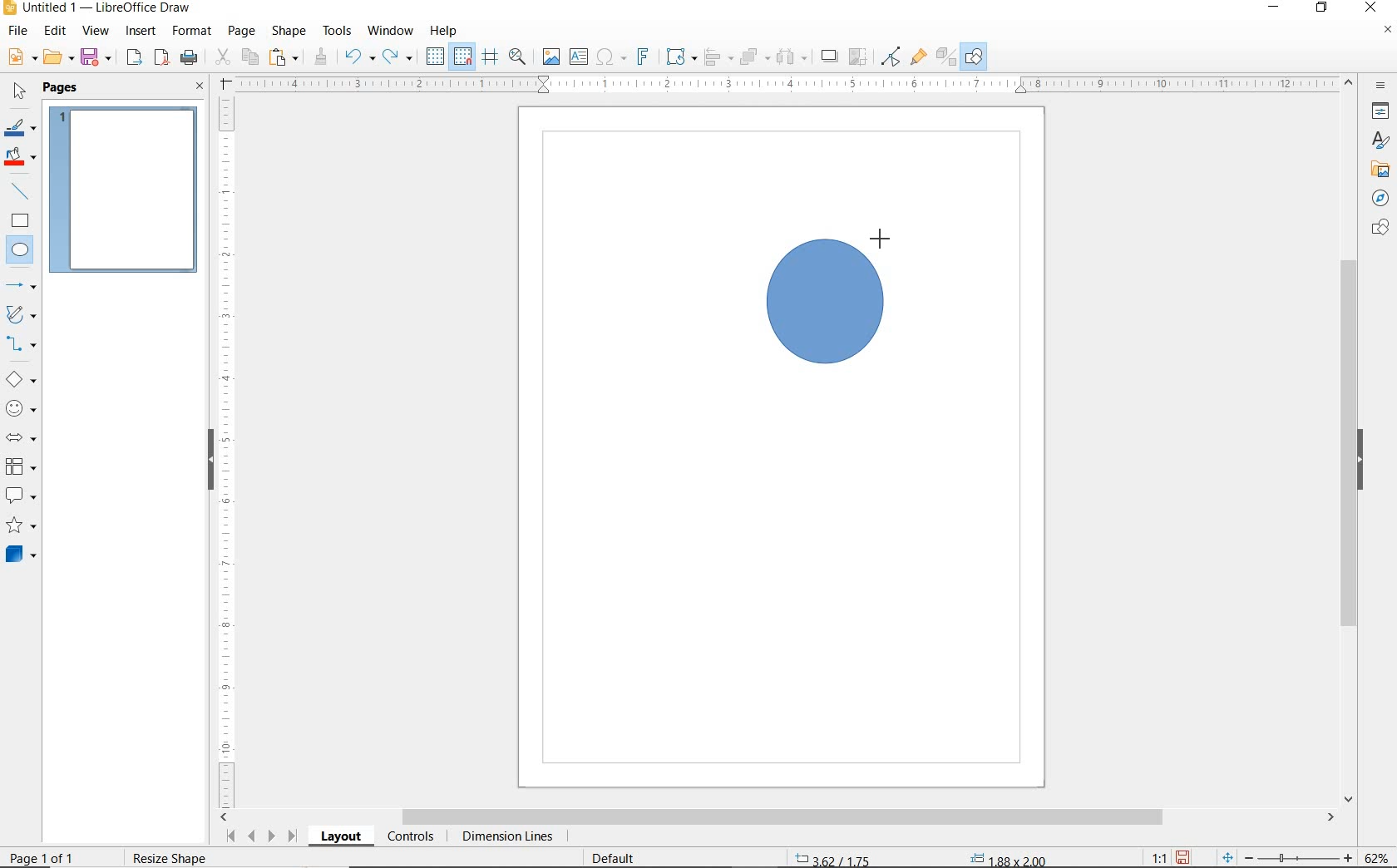 The width and height of the screenshot is (1397, 868). Describe the element at coordinates (1349, 441) in the screenshot. I see `SCROLLBAR` at that location.